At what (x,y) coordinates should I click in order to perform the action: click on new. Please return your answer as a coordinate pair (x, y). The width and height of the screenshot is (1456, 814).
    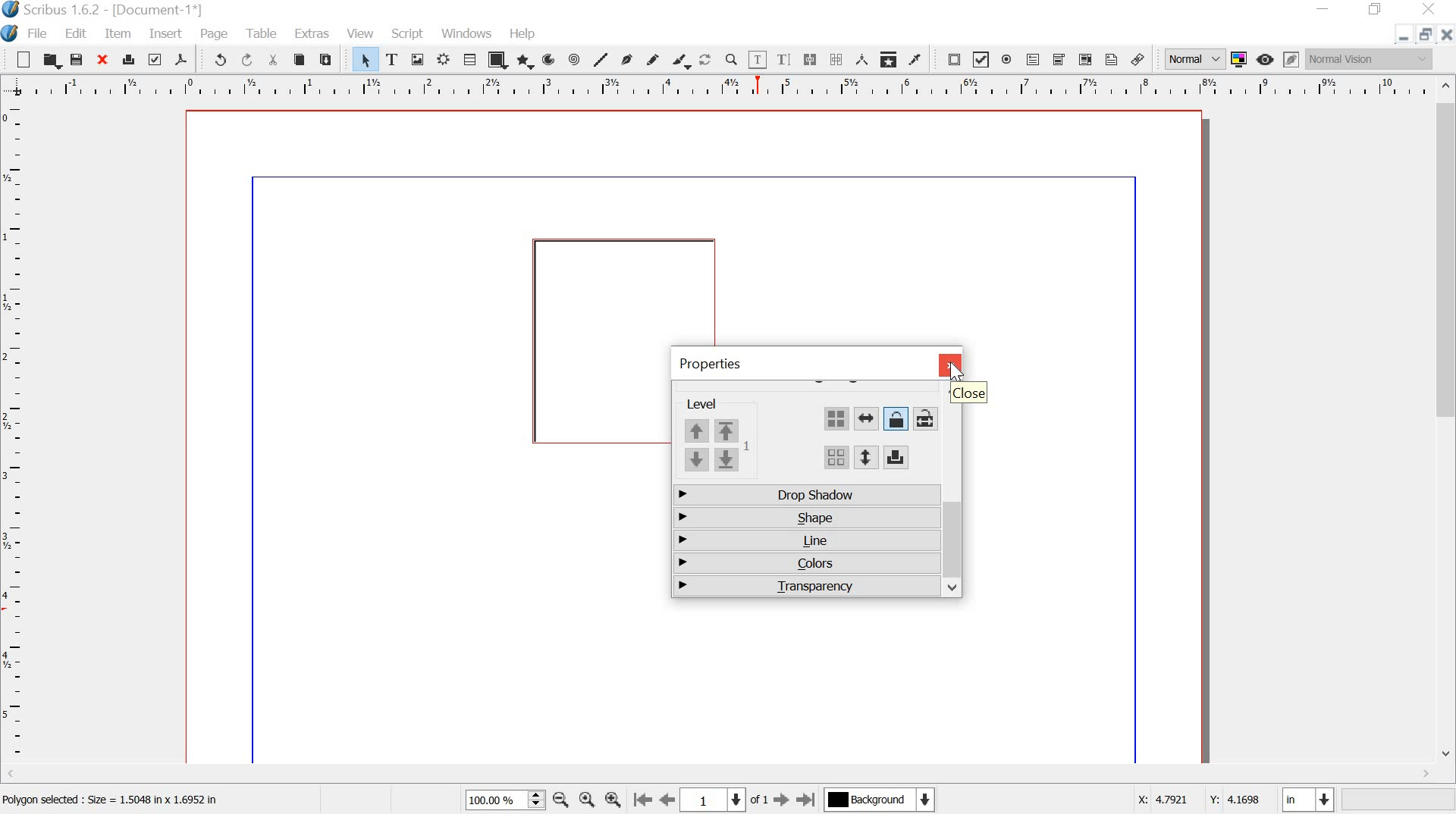
    Looking at the image, I should click on (17, 60).